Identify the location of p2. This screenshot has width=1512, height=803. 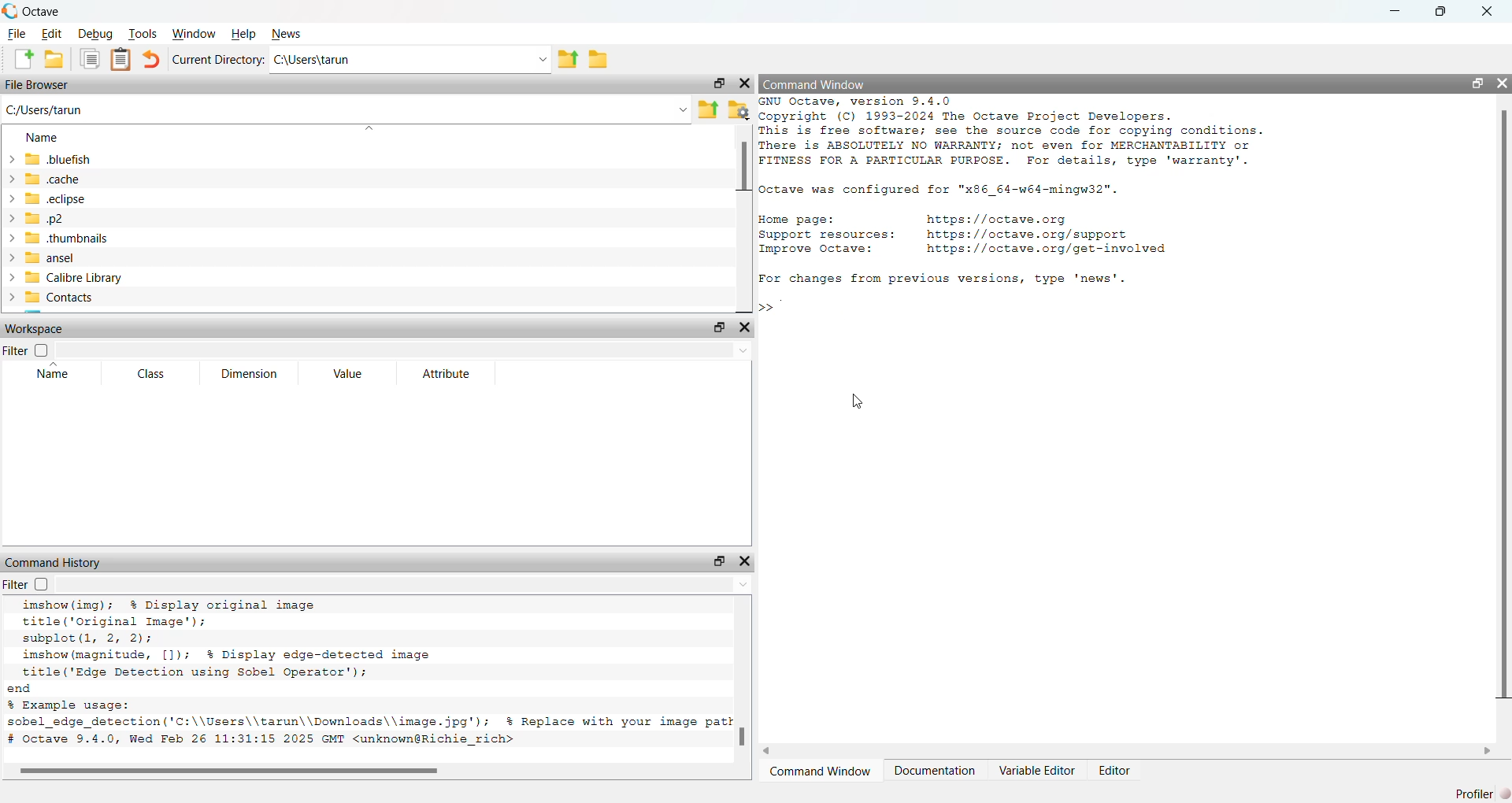
(42, 220).